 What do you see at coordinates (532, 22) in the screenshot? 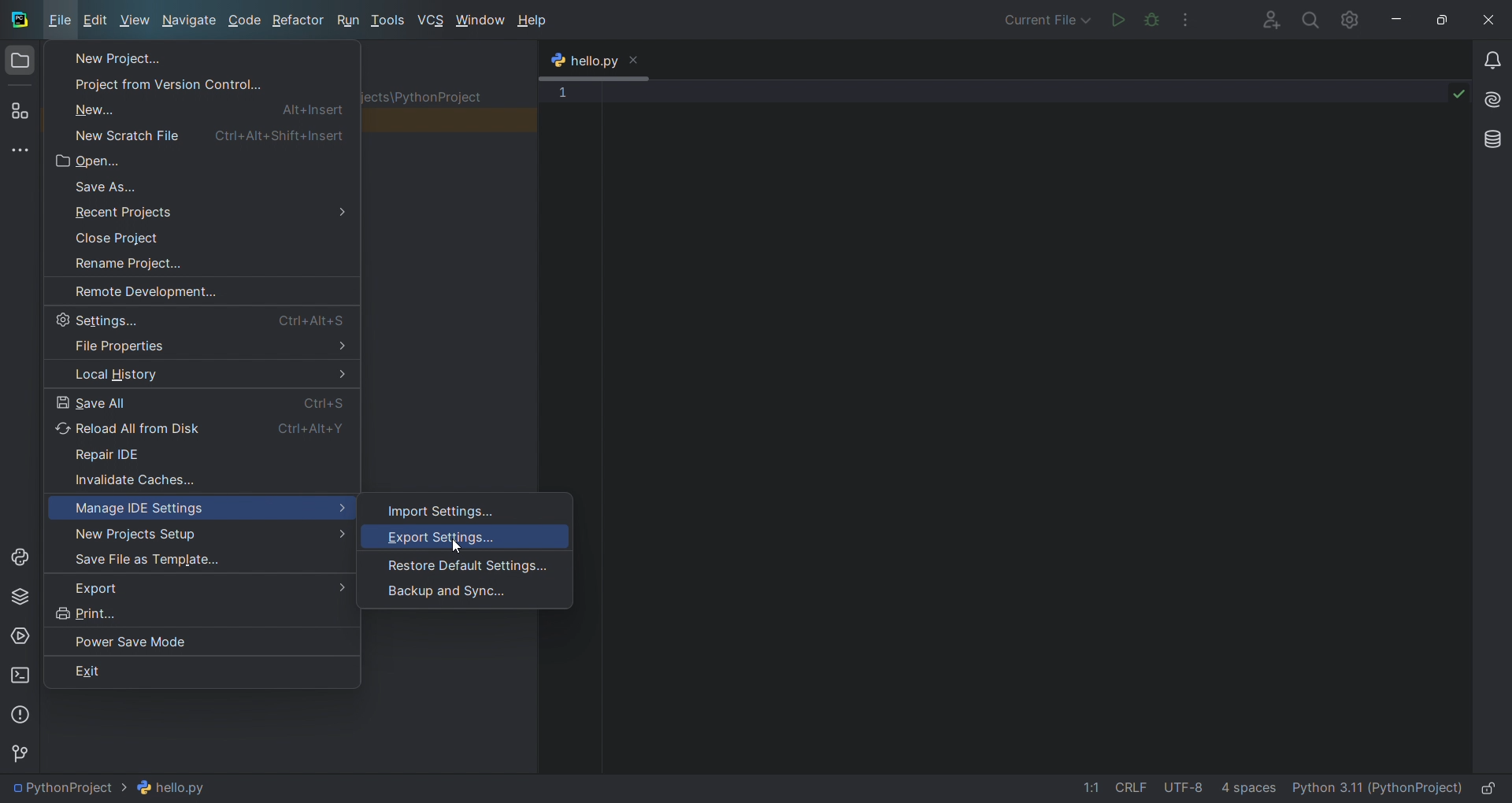
I see `help` at bounding box center [532, 22].